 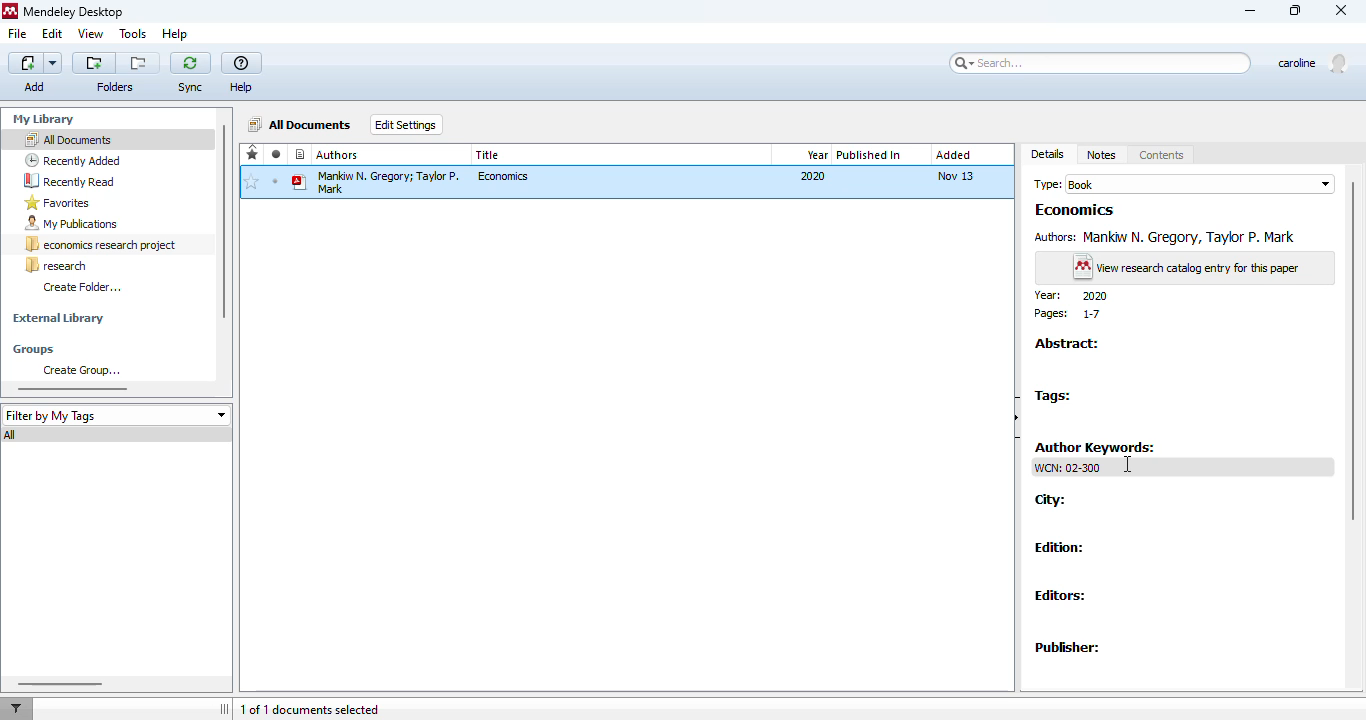 What do you see at coordinates (1053, 500) in the screenshot?
I see `city:` at bounding box center [1053, 500].